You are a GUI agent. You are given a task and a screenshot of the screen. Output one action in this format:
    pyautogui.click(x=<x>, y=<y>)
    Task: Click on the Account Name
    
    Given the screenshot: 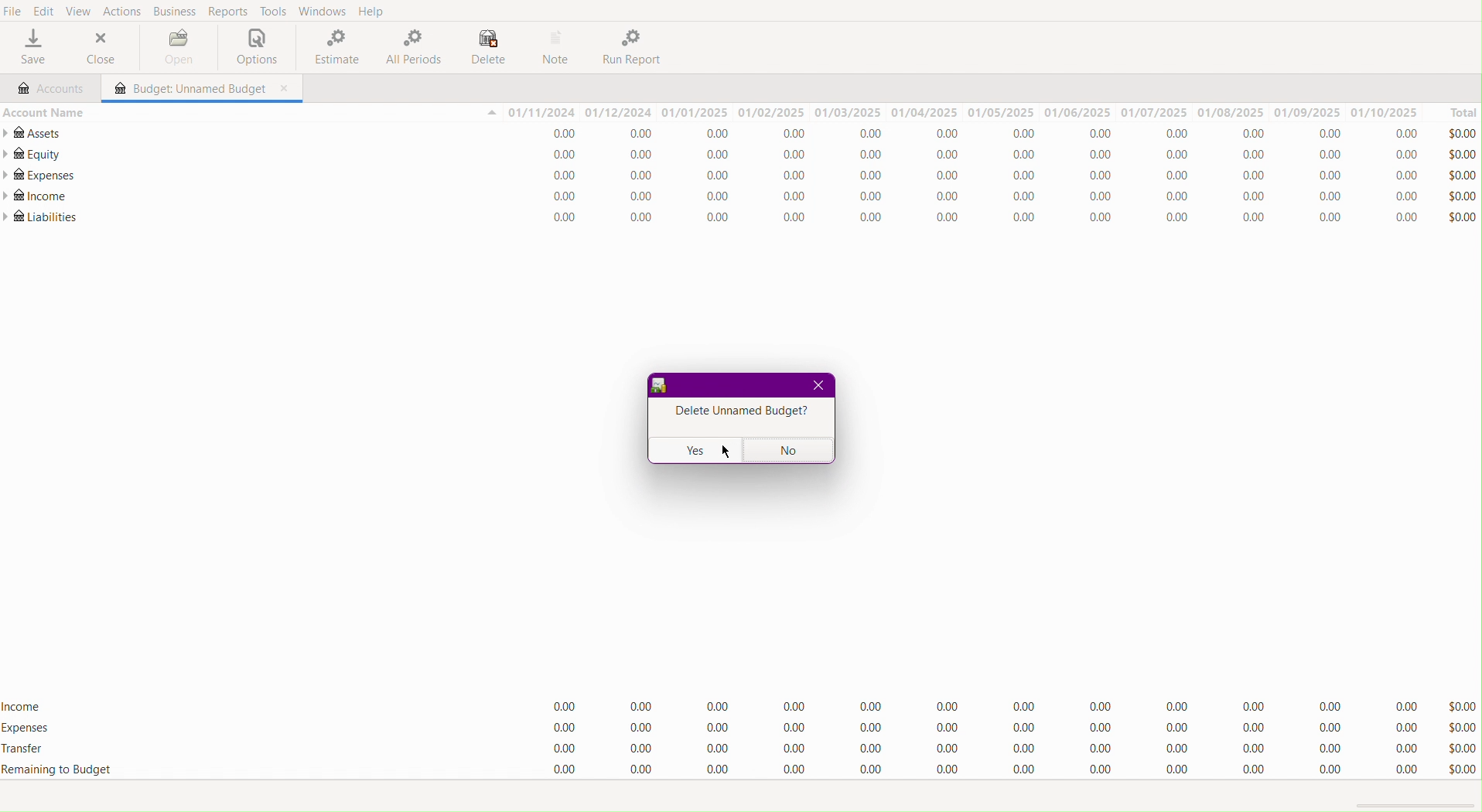 What is the action you would take?
    pyautogui.click(x=43, y=111)
    